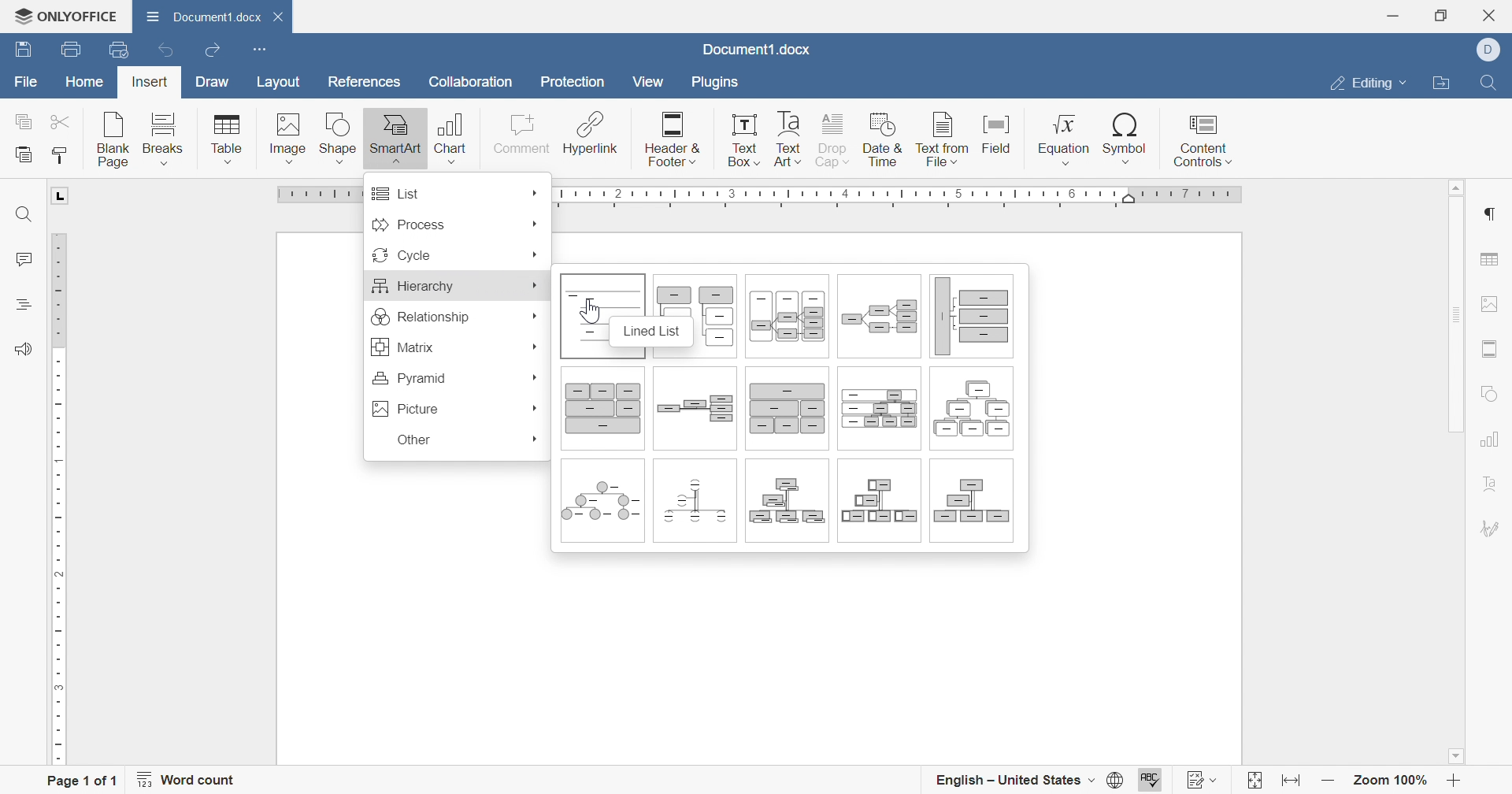 The height and width of the screenshot is (794, 1512). What do you see at coordinates (256, 50) in the screenshot?
I see `Customize Quick Access Toolbar` at bounding box center [256, 50].